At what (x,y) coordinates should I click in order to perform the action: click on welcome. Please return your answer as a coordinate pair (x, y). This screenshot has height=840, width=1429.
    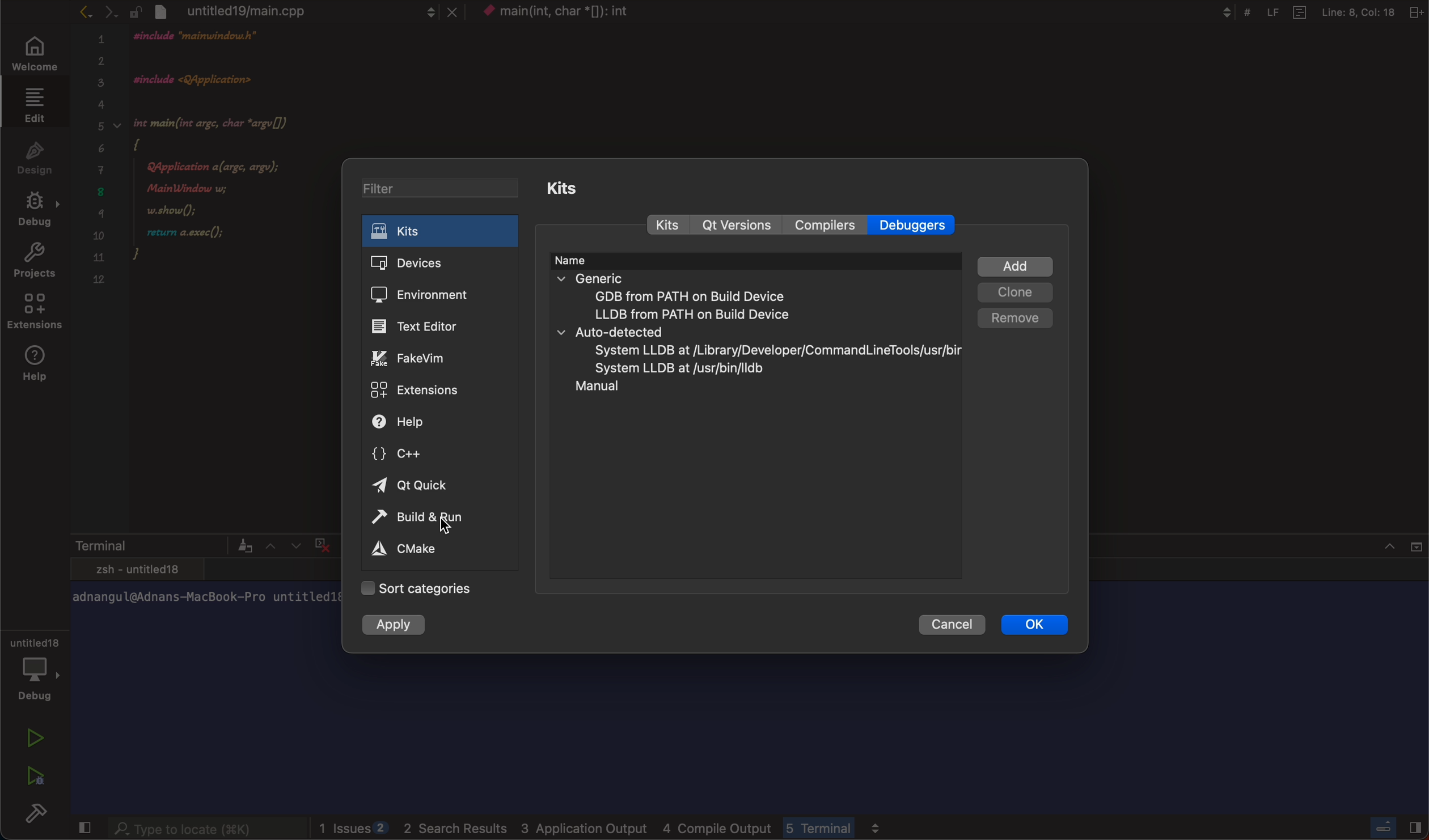
    Looking at the image, I should click on (35, 54).